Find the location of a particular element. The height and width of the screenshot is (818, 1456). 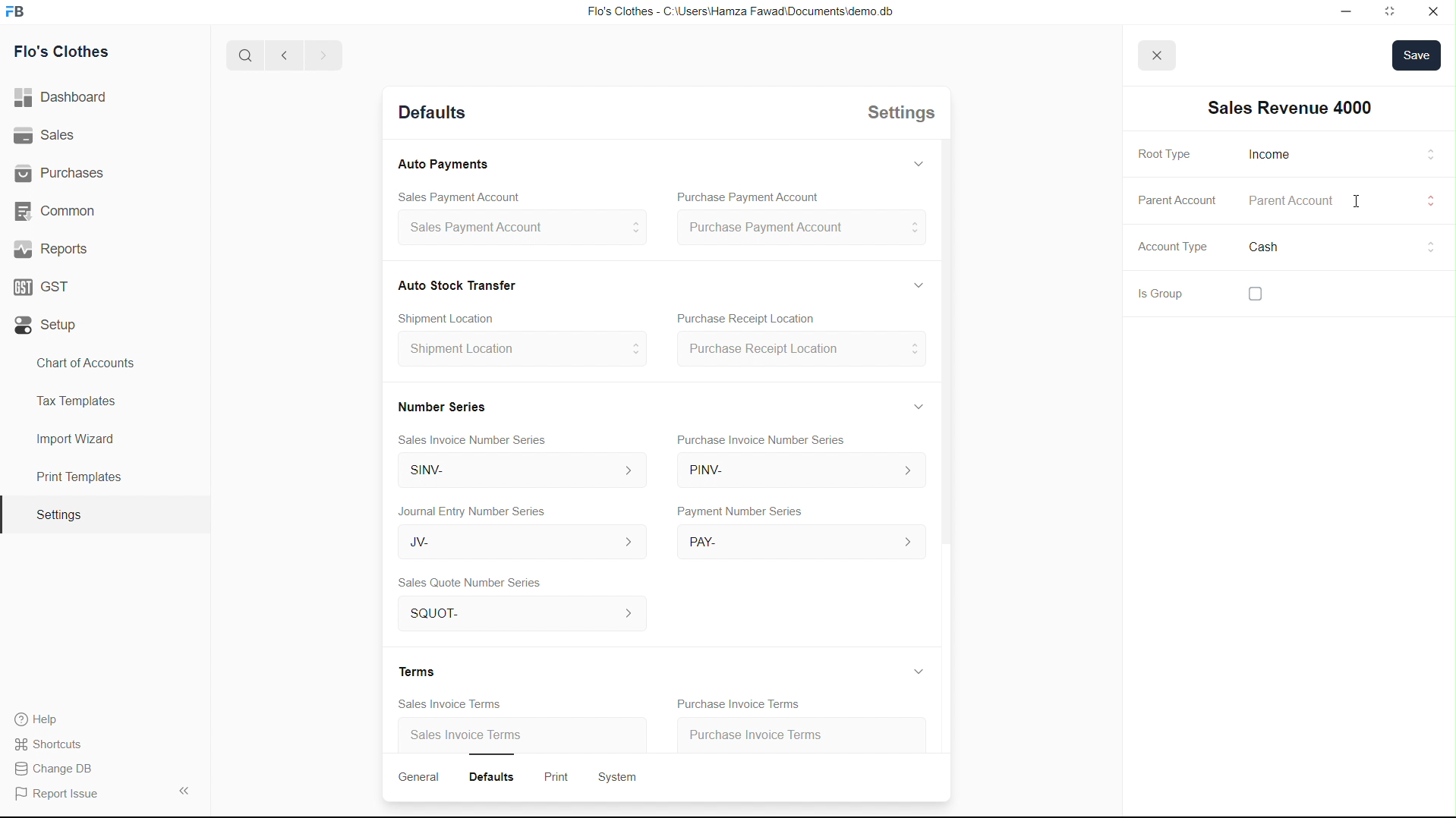

Purchase Receipt Location is located at coordinates (799, 351).